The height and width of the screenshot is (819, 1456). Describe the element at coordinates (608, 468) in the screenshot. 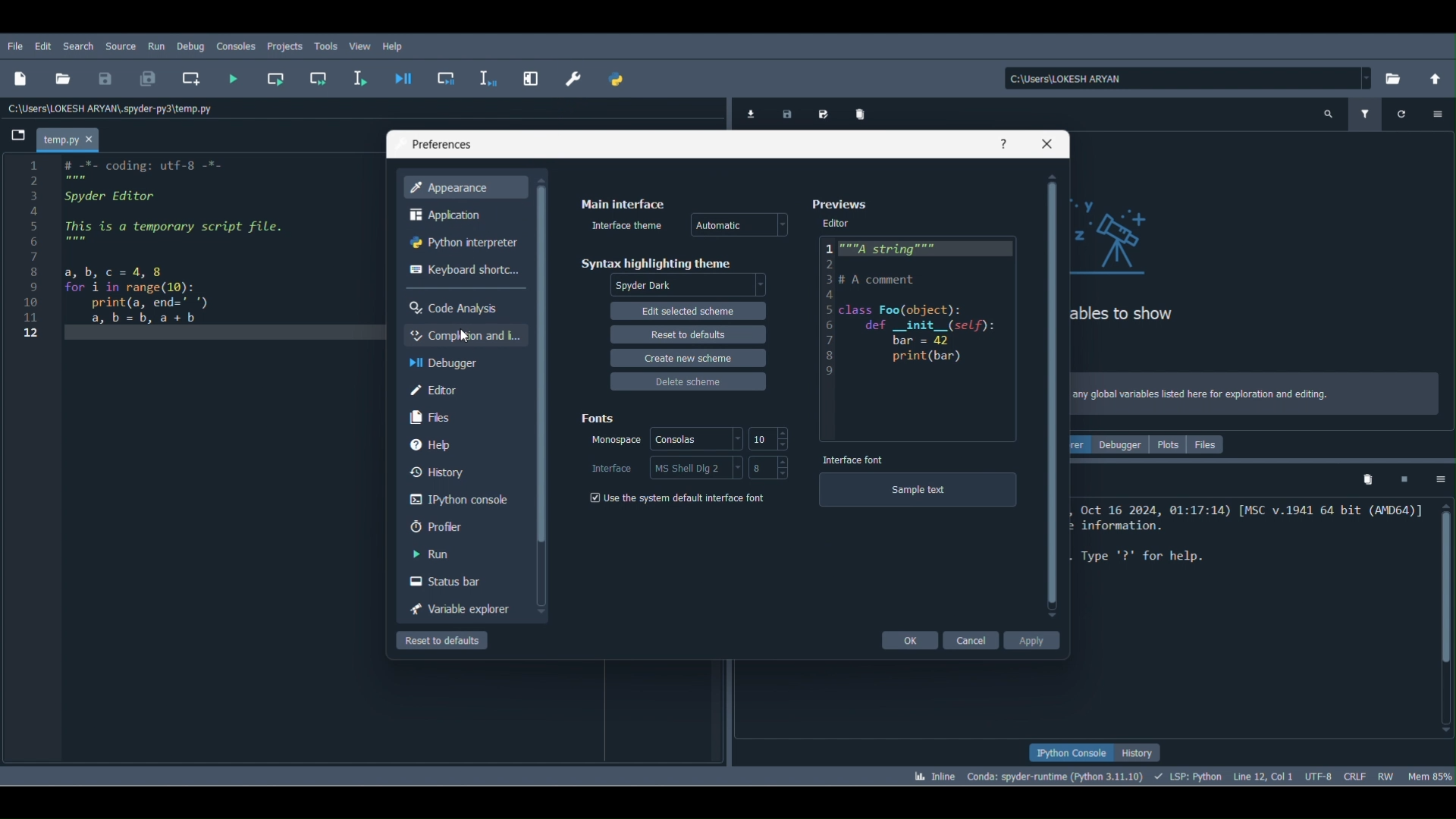

I see `Interface` at that location.